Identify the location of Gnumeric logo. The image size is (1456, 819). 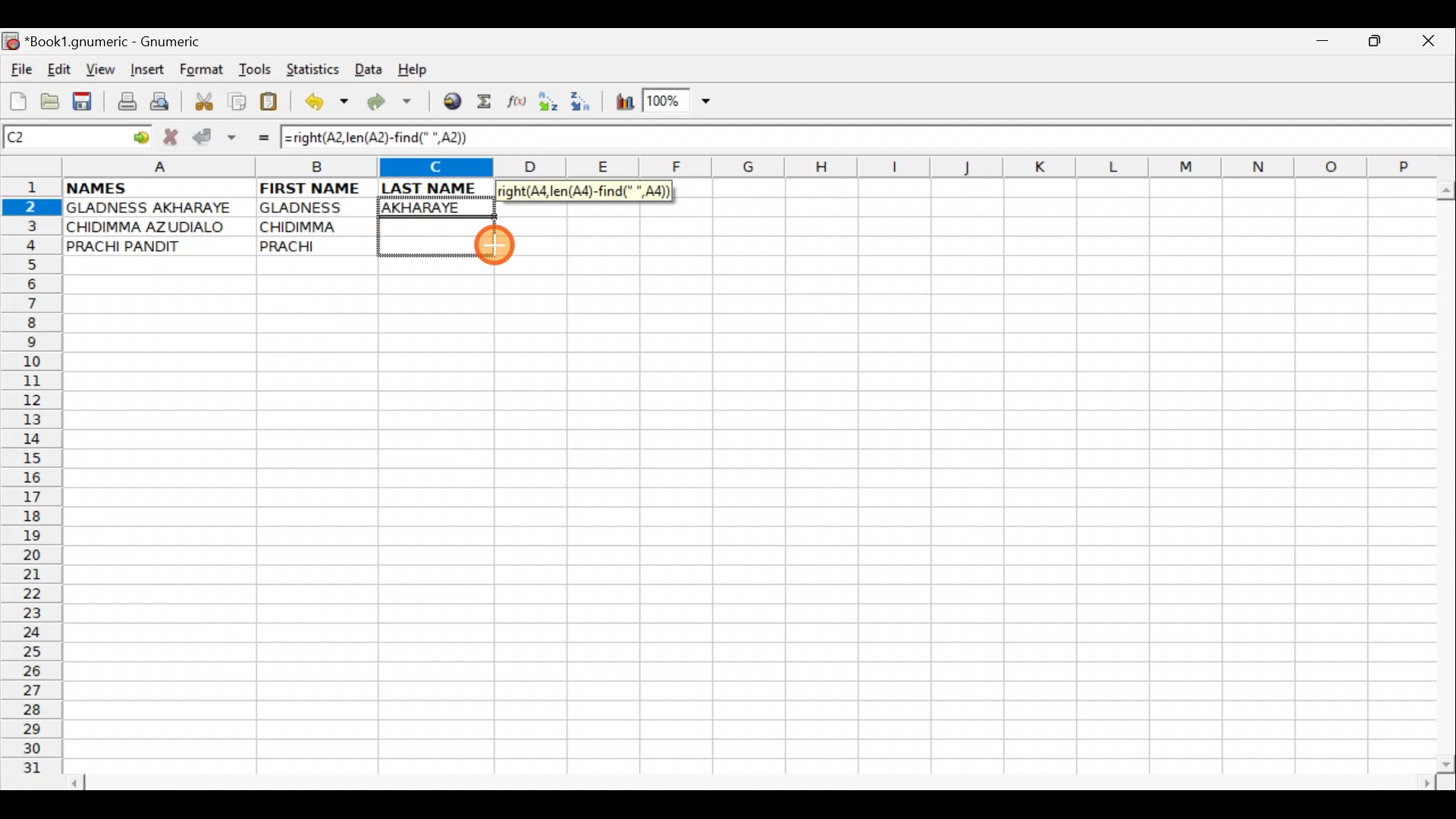
(11, 42).